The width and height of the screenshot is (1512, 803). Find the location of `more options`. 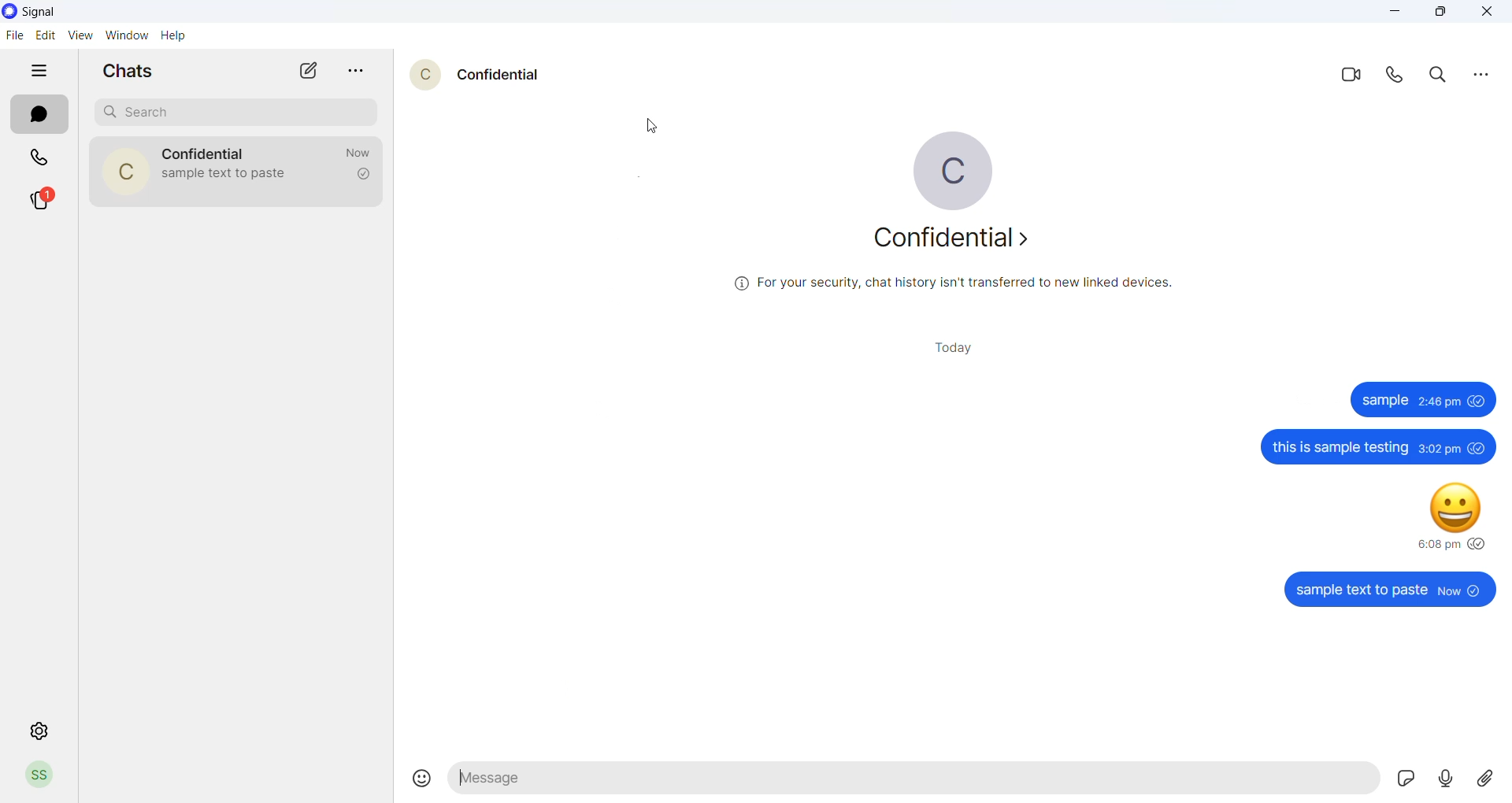

more options is located at coordinates (1478, 77).